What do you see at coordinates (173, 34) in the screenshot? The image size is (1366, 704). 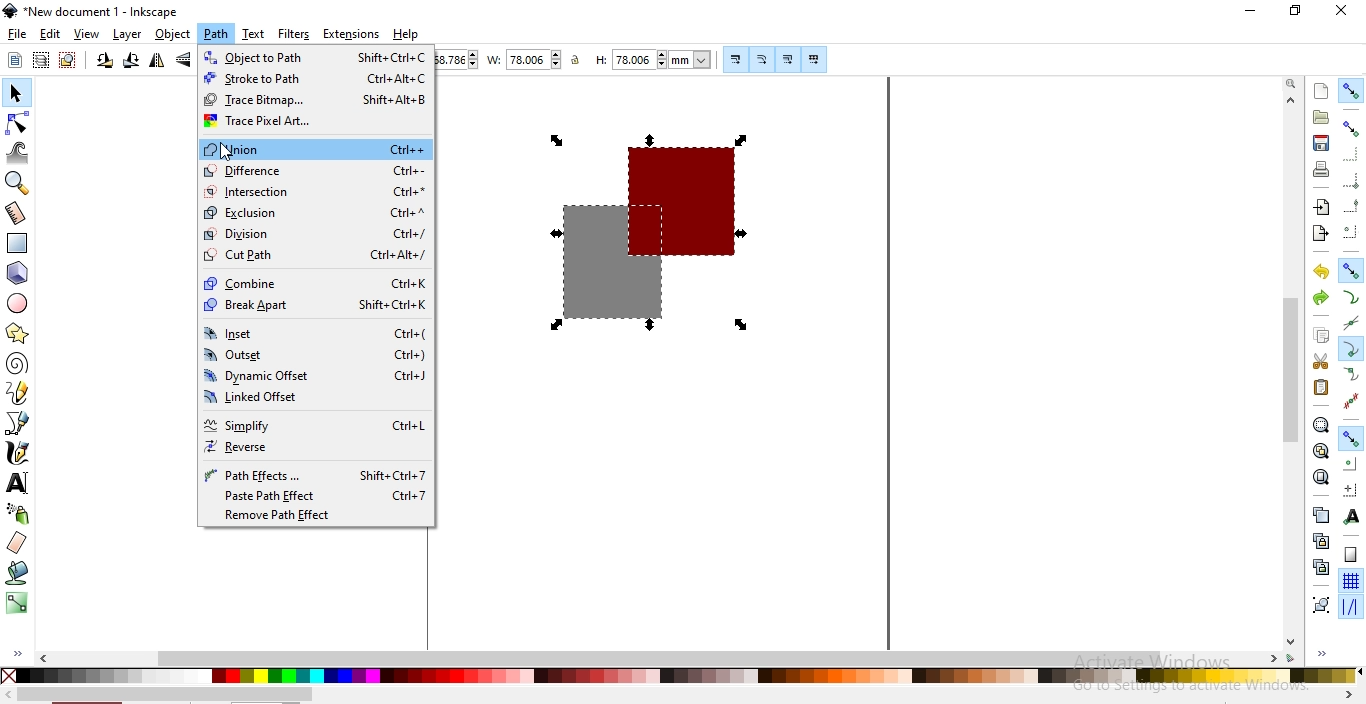 I see `object` at bounding box center [173, 34].